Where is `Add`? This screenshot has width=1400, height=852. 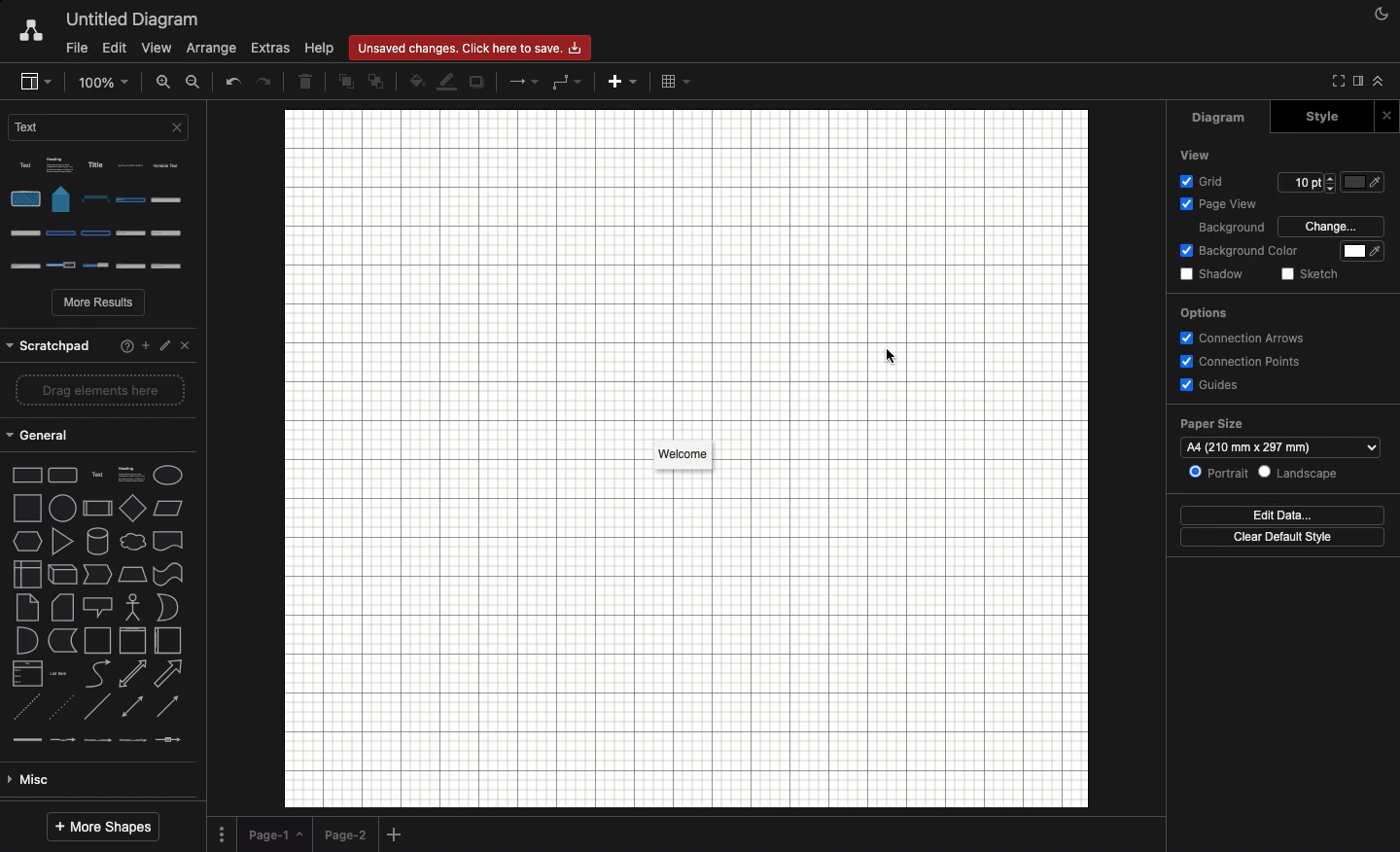
Add is located at coordinates (620, 85).